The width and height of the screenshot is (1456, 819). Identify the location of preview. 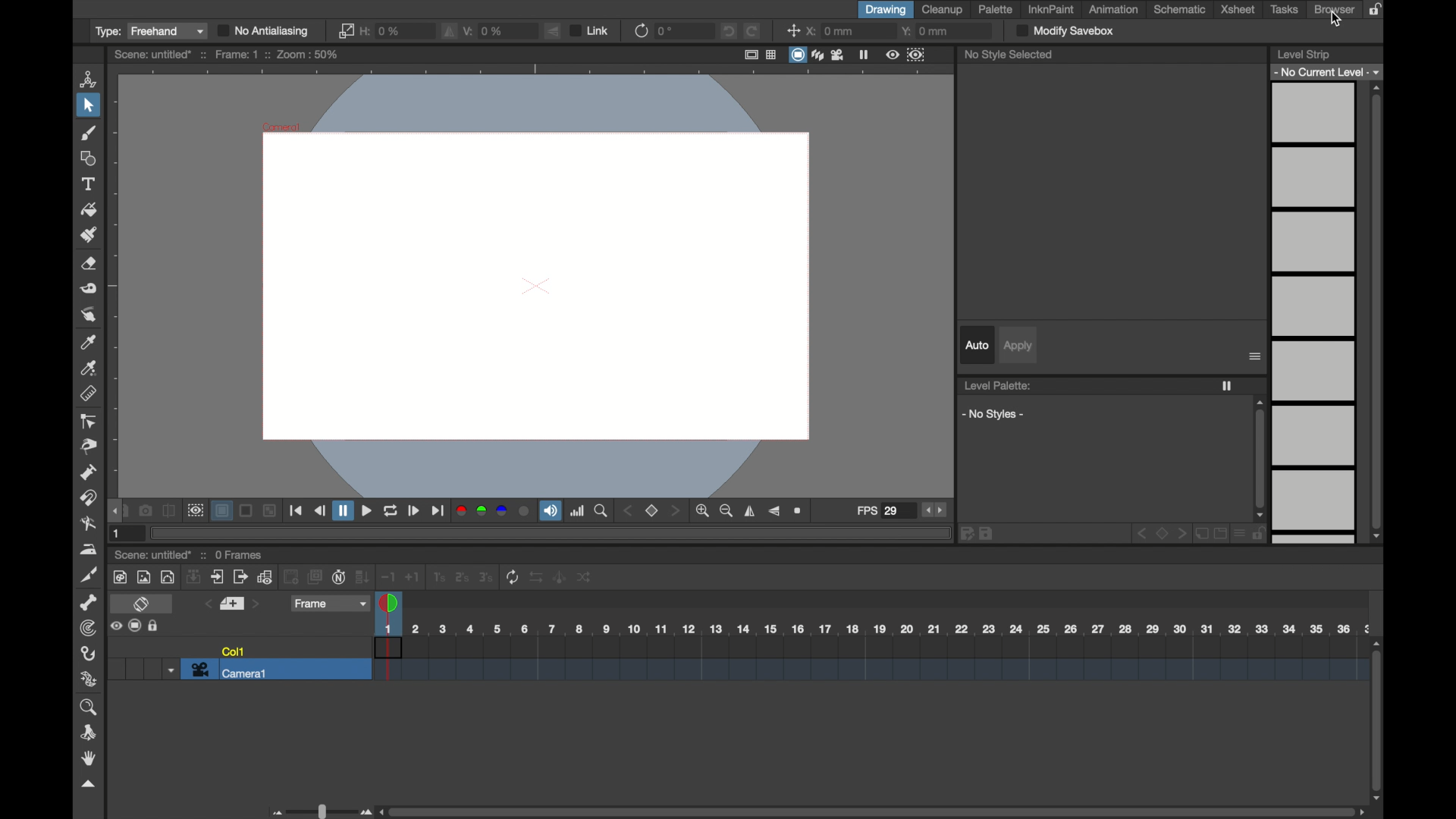
(195, 511).